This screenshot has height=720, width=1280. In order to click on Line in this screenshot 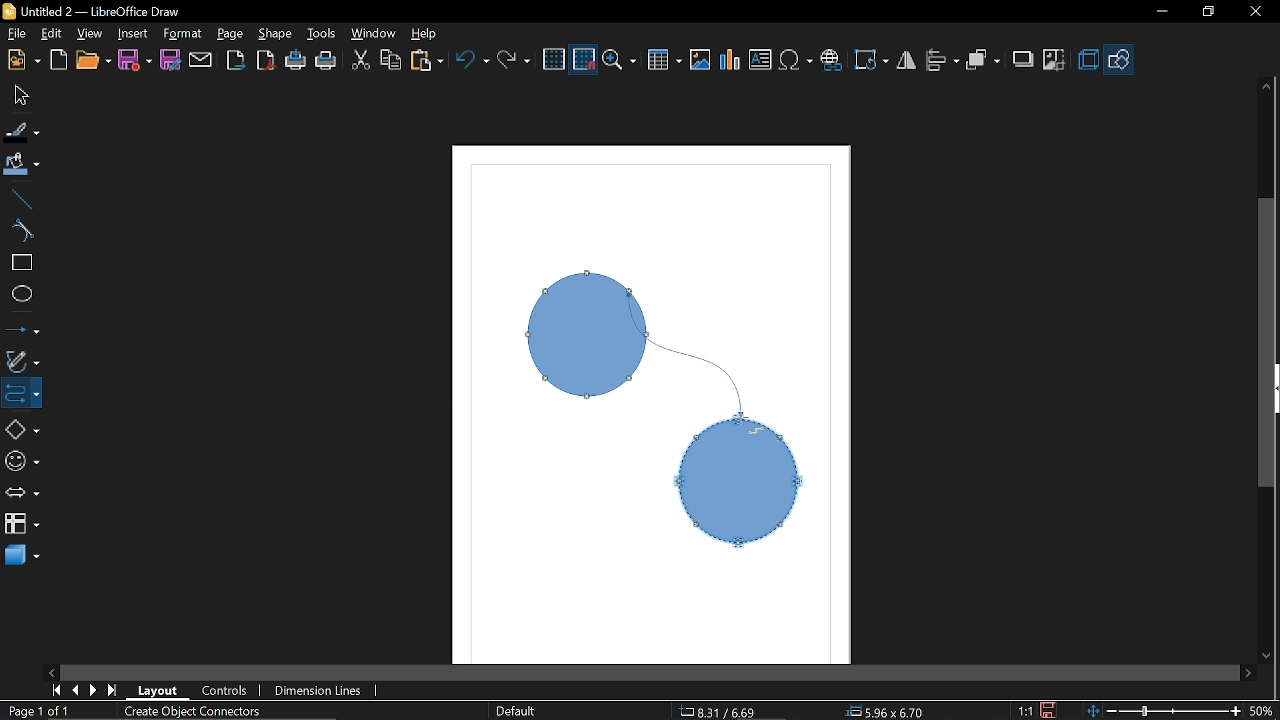, I will do `click(19, 200)`.